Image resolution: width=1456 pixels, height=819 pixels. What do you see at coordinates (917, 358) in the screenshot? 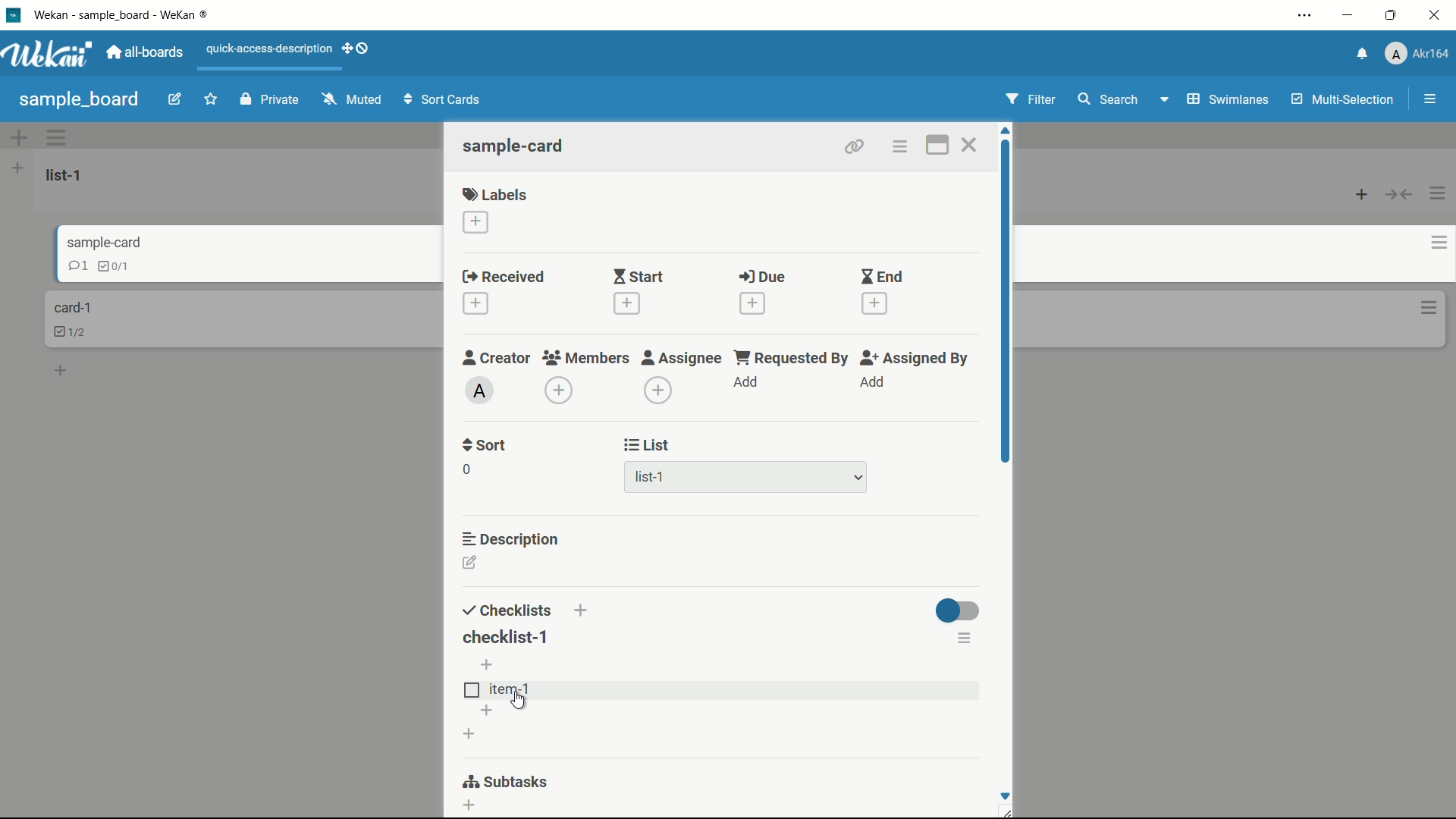
I see `assigned by` at bounding box center [917, 358].